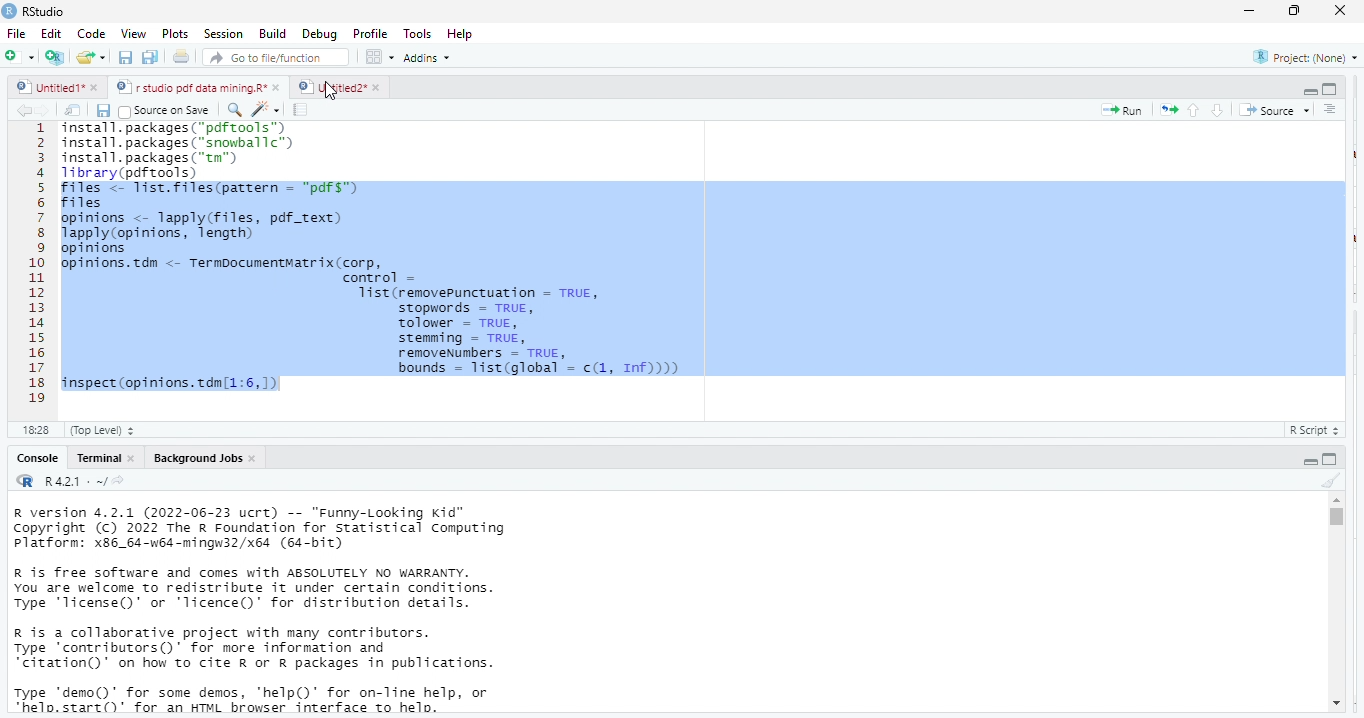  Describe the element at coordinates (18, 33) in the screenshot. I see `file` at that location.